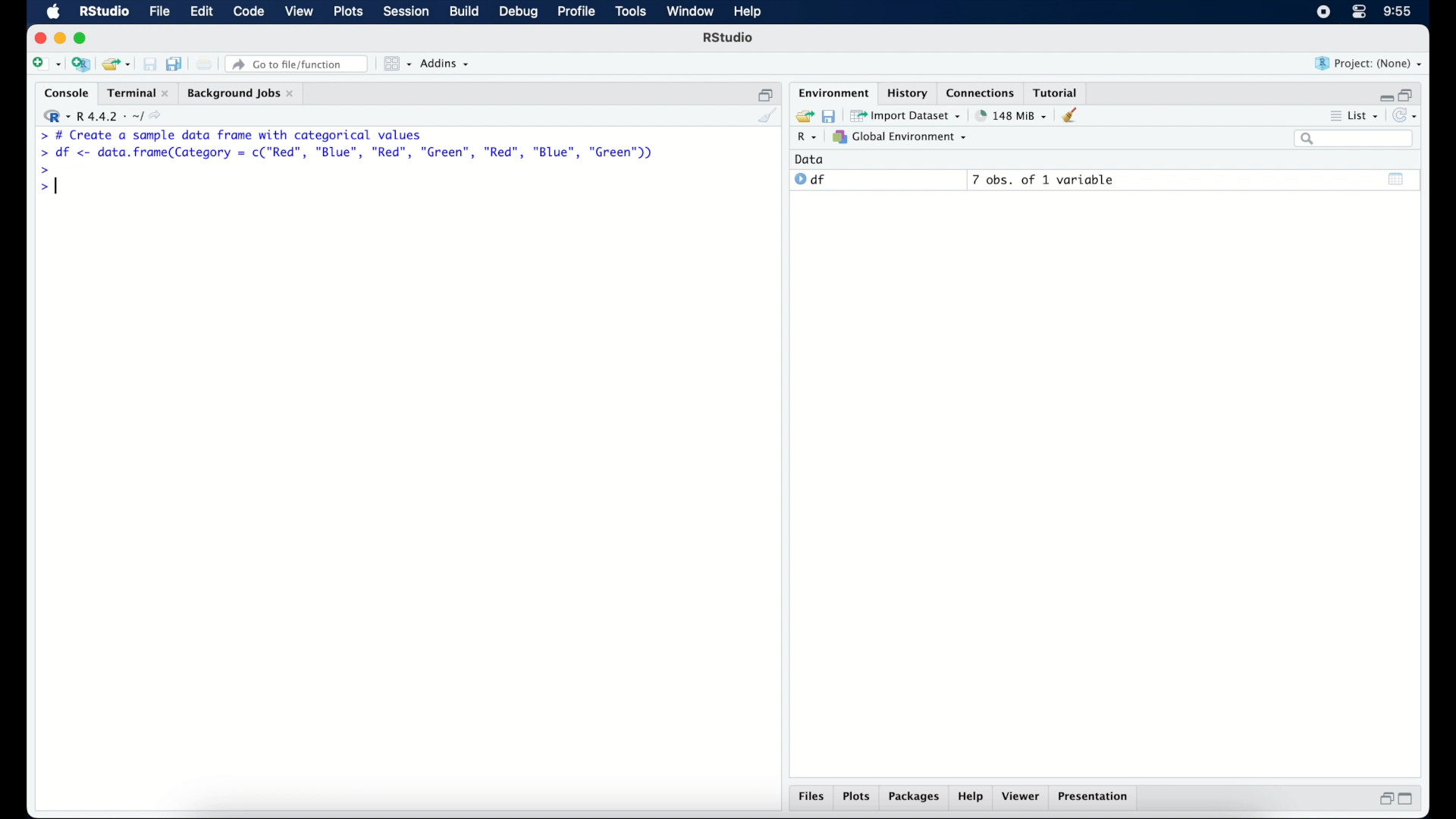  Describe the element at coordinates (828, 116) in the screenshot. I see `save` at that location.